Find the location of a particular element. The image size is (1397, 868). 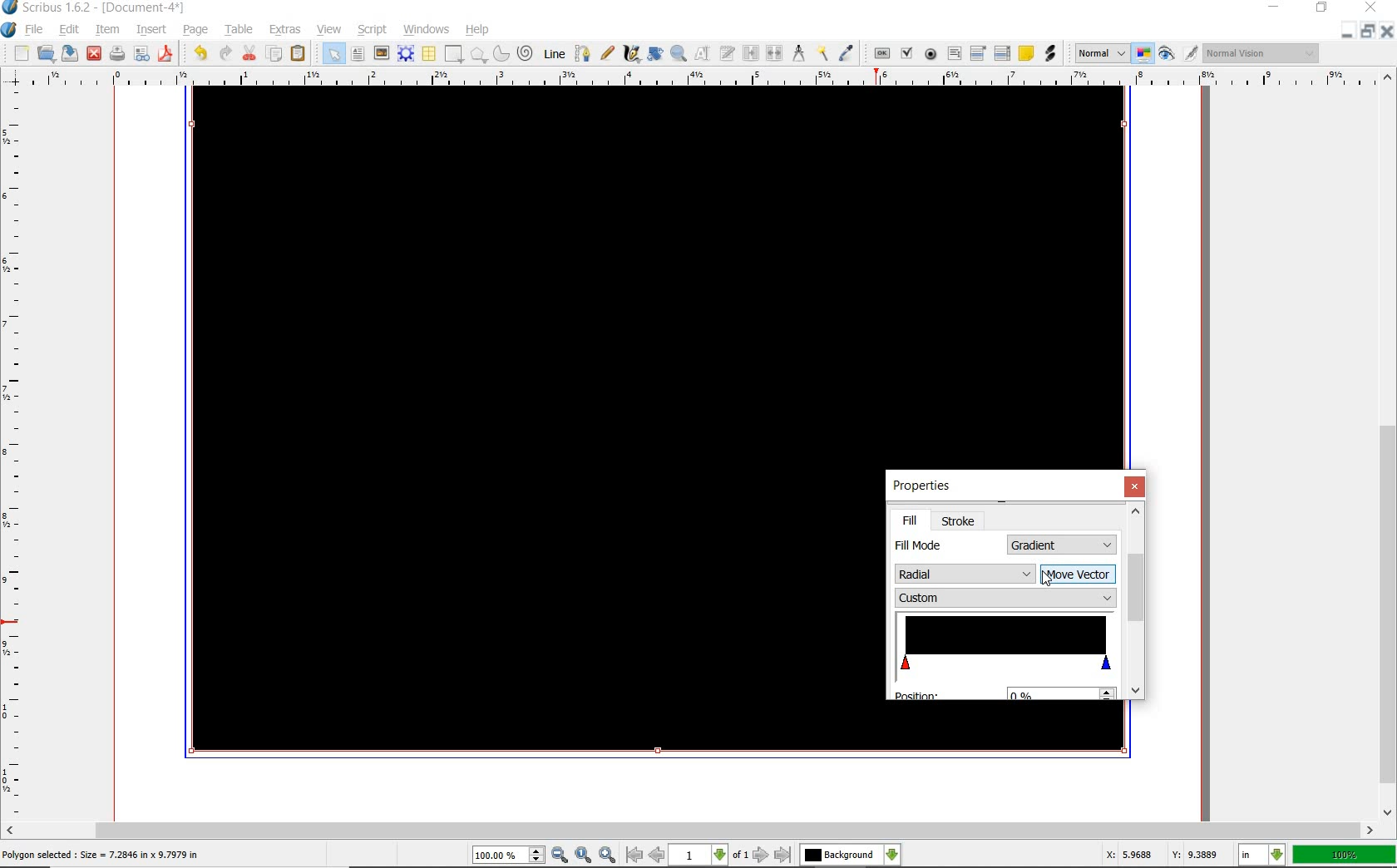

toggle color management is located at coordinates (1144, 55).